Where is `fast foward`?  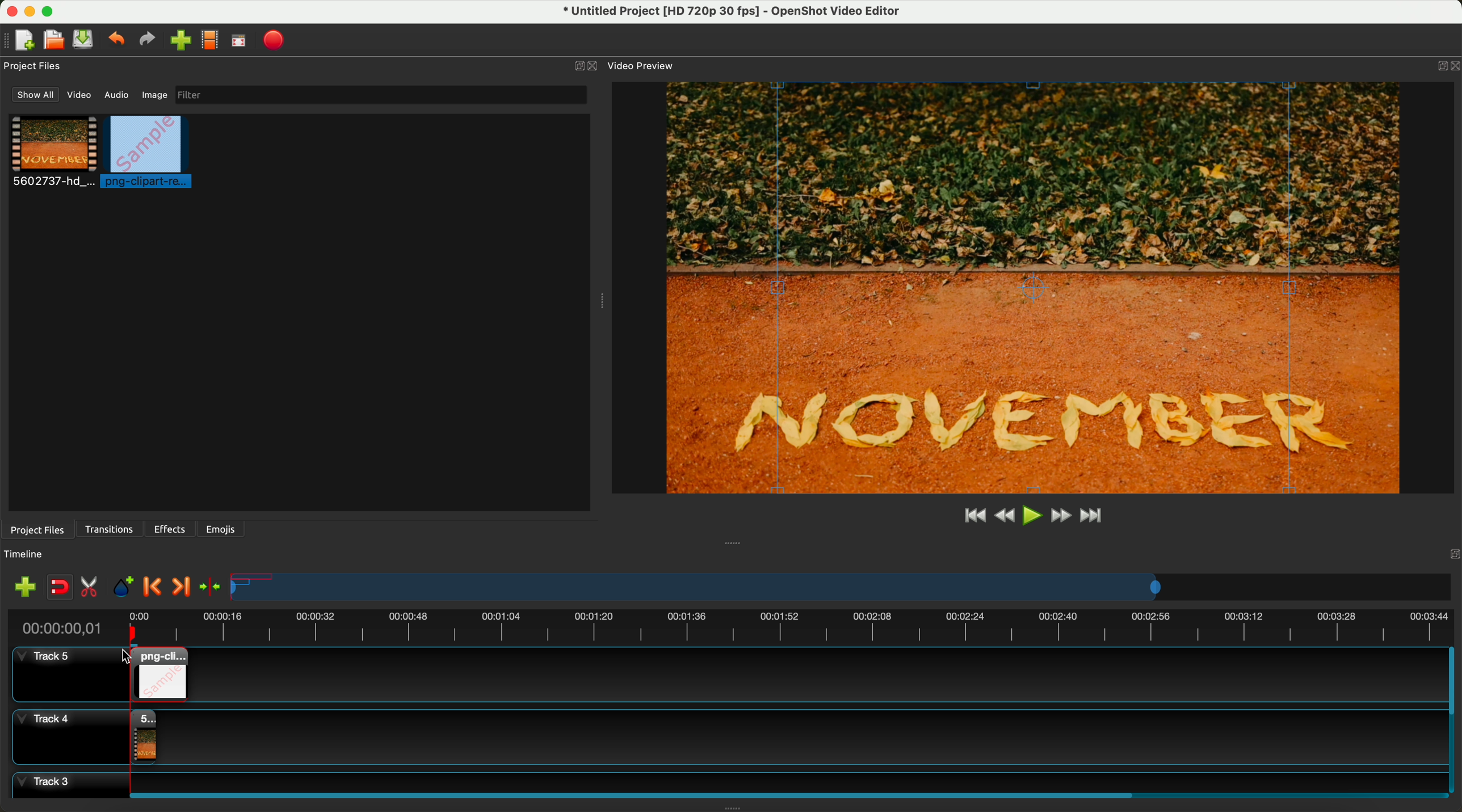
fast foward is located at coordinates (1060, 517).